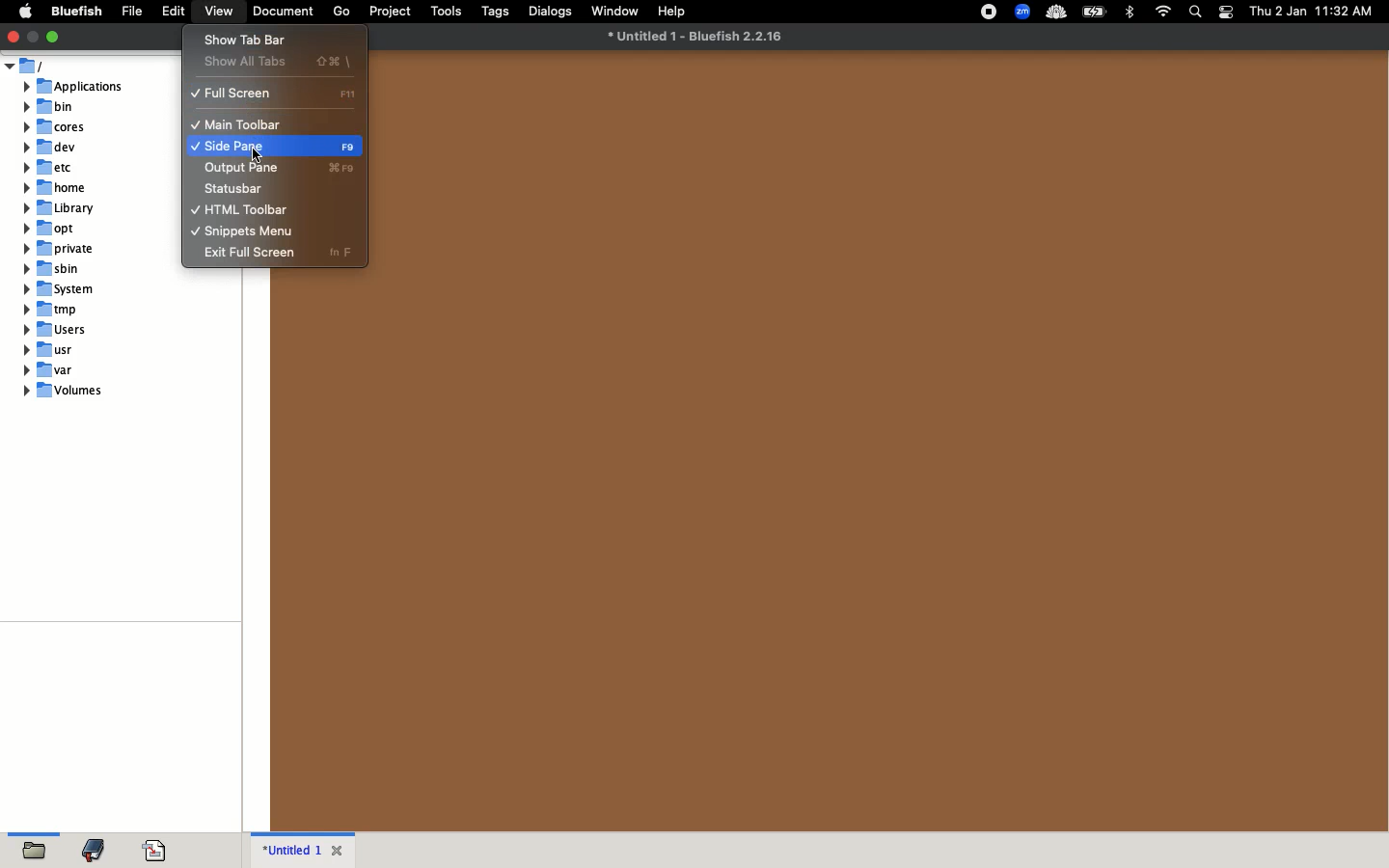 Image resolution: width=1389 pixels, height=868 pixels. Describe the element at coordinates (221, 10) in the screenshot. I see `view` at that location.